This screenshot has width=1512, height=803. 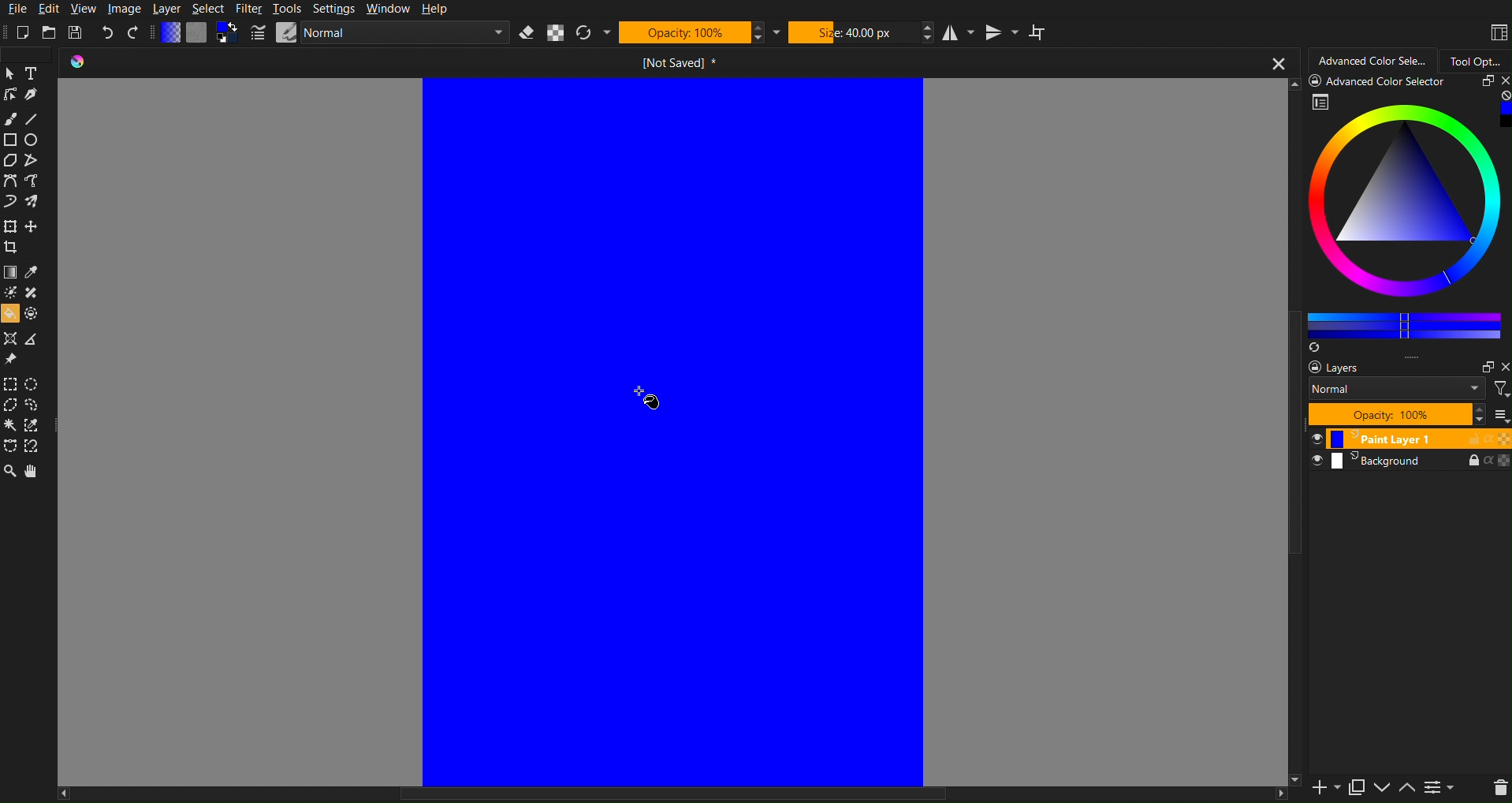 I want to click on Undo, so click(x=108, y=32).